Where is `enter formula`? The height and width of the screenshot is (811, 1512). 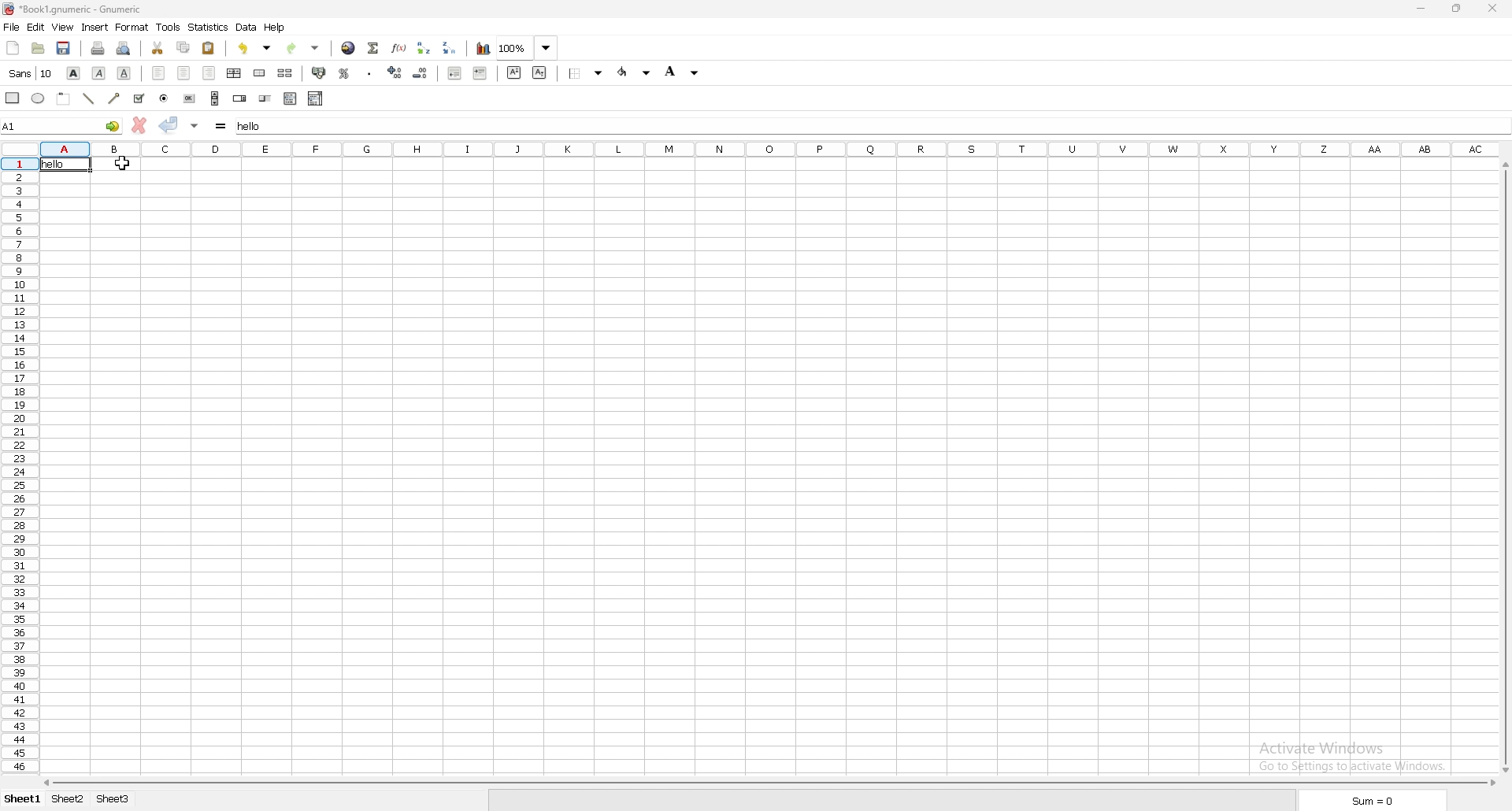 enter formula is located at coordinates (221, 126).